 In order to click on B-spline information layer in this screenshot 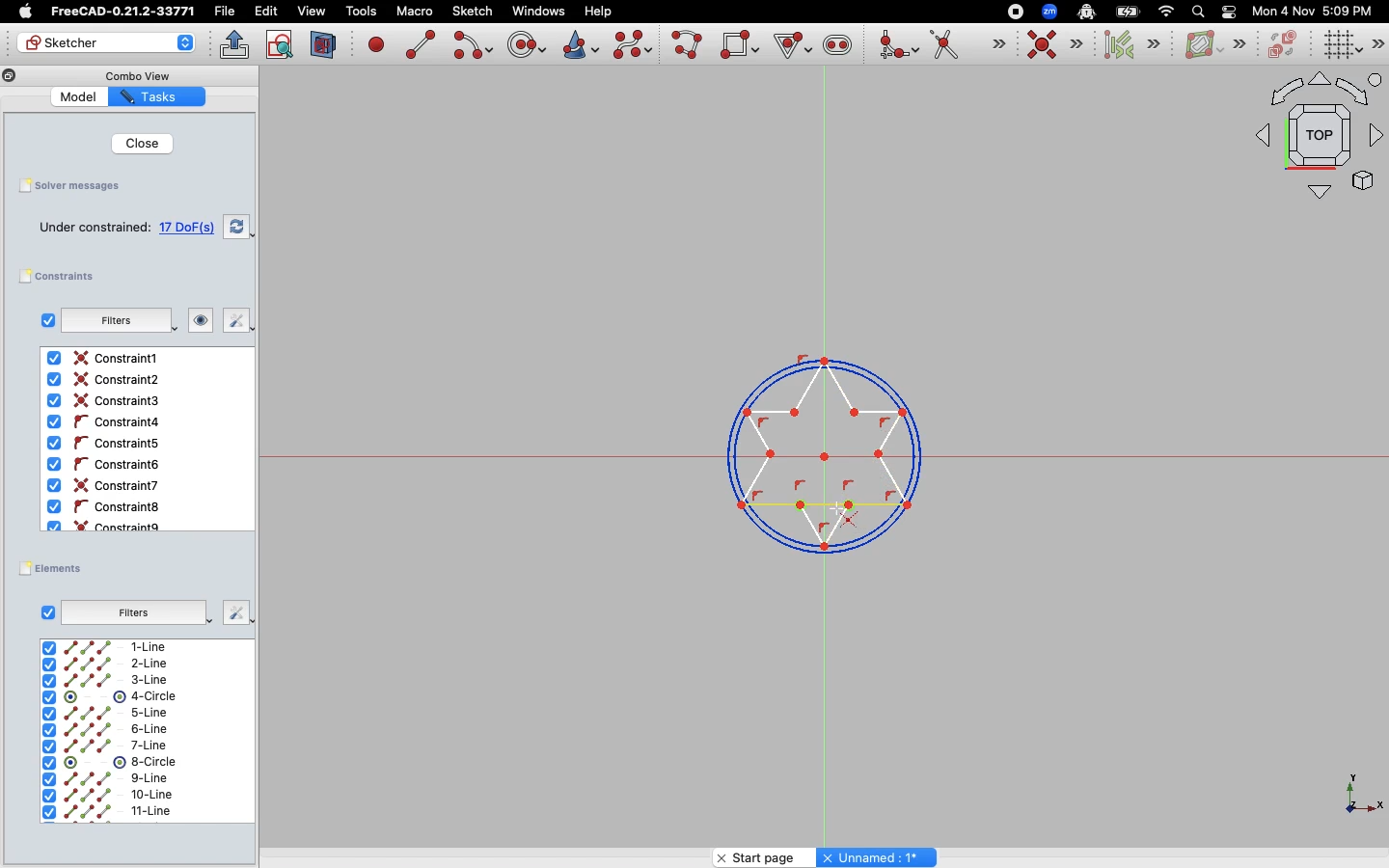, I will do `click(1213, 45)`.